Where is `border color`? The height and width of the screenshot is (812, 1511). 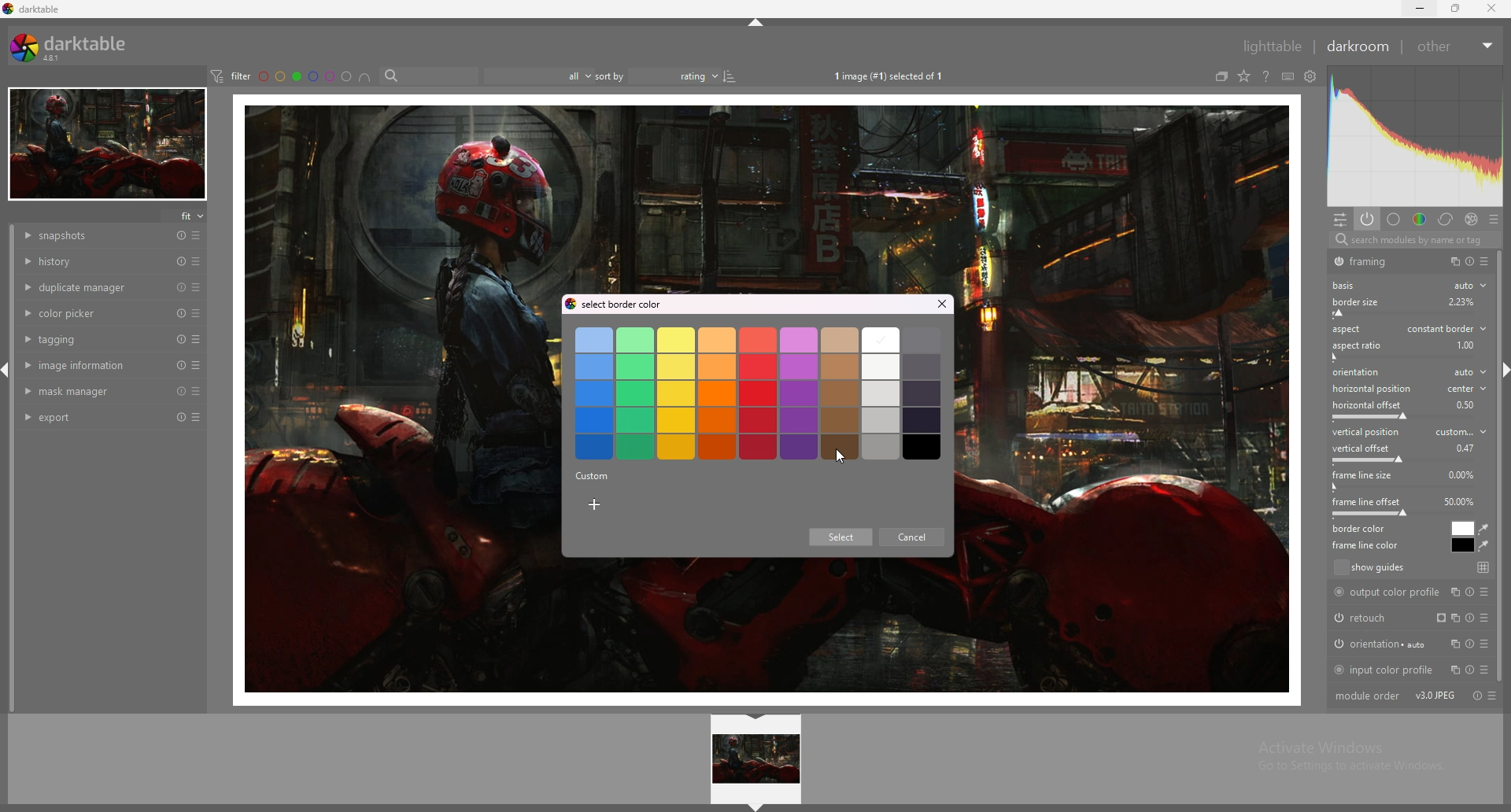
border color is located at coordinates (1463, 528).